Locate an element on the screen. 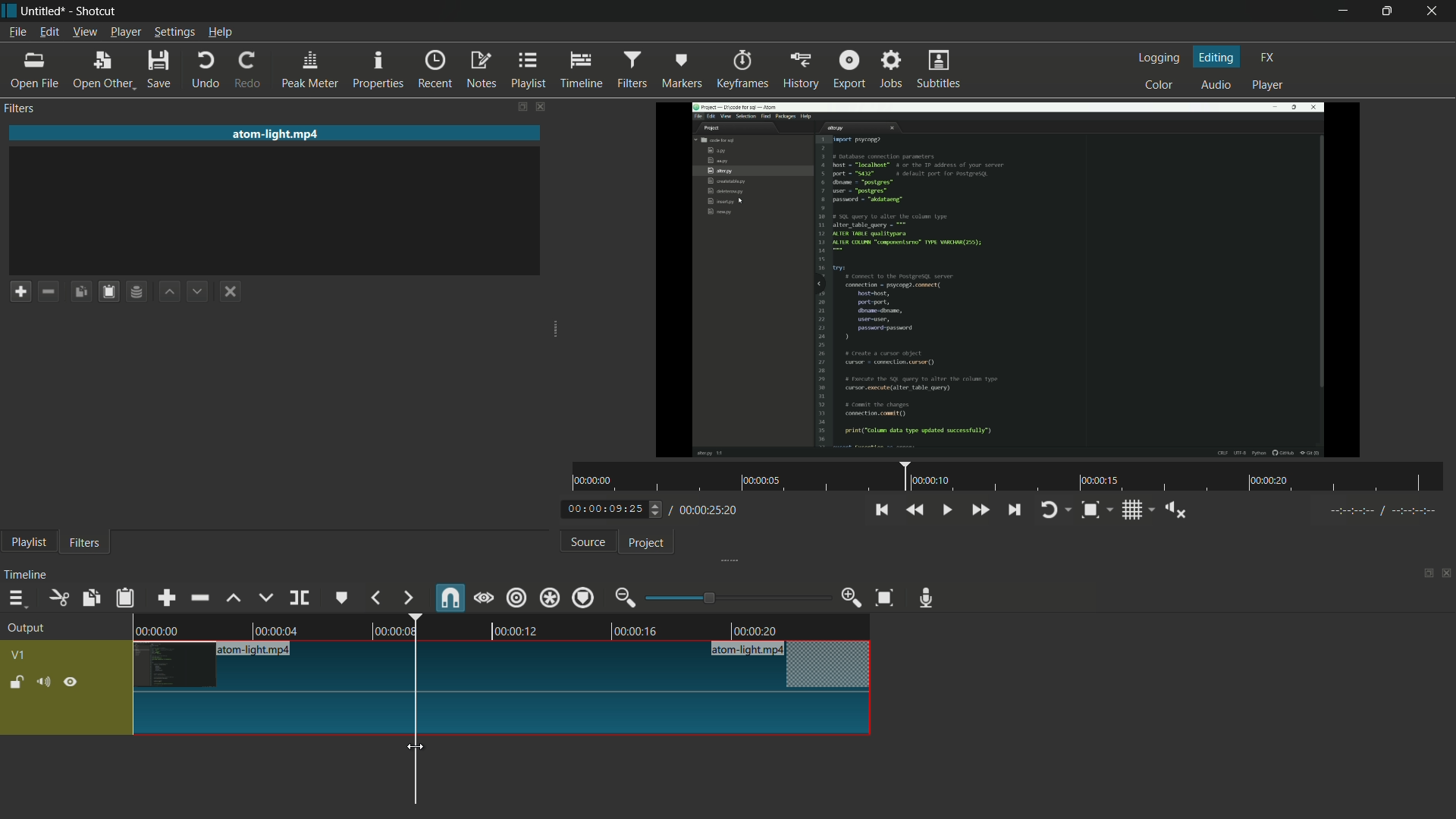 The image size is (1456, 819). file menu is located at coordinates (17, 33).